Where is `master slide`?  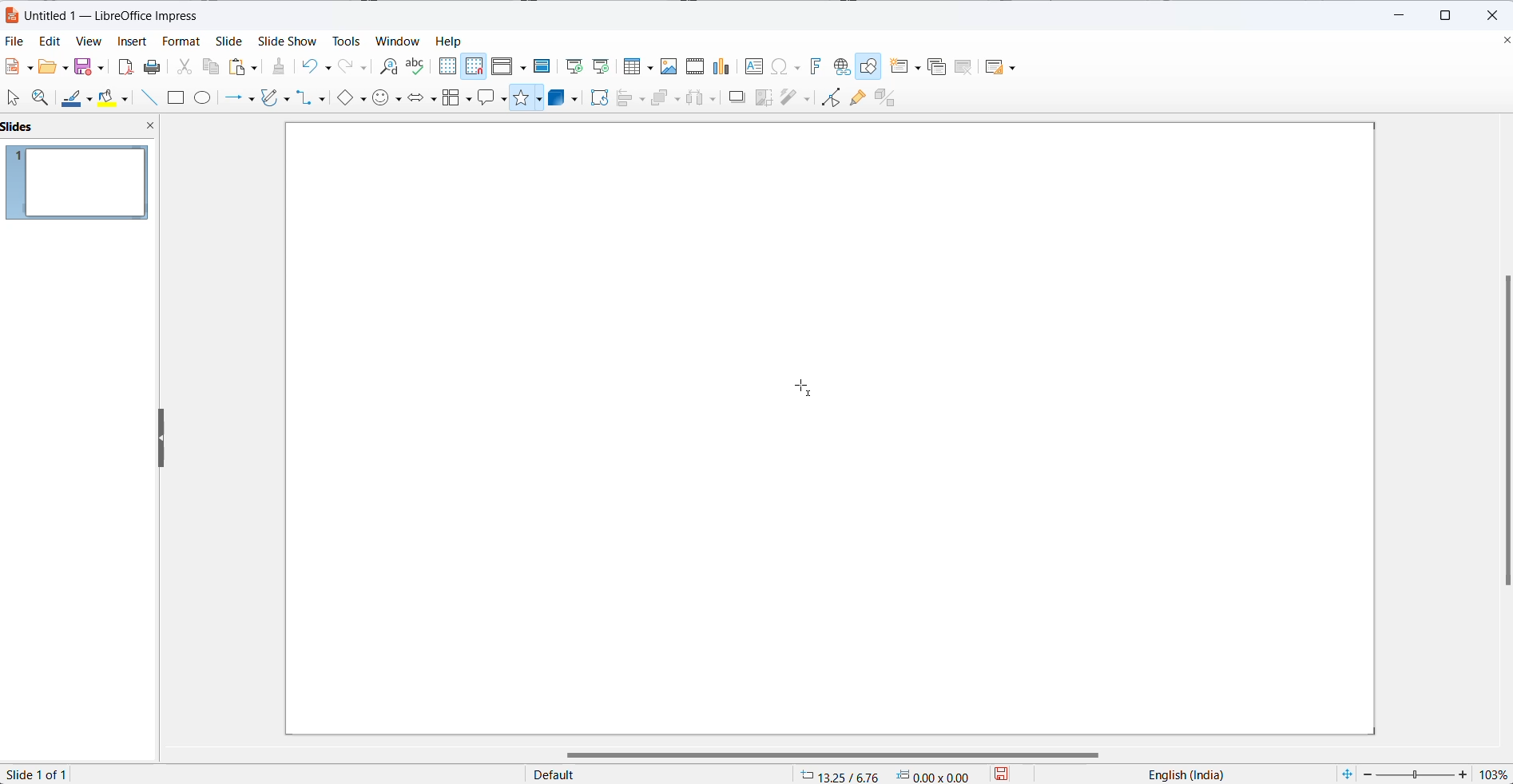 master slide is located at coordinates (542, 65).